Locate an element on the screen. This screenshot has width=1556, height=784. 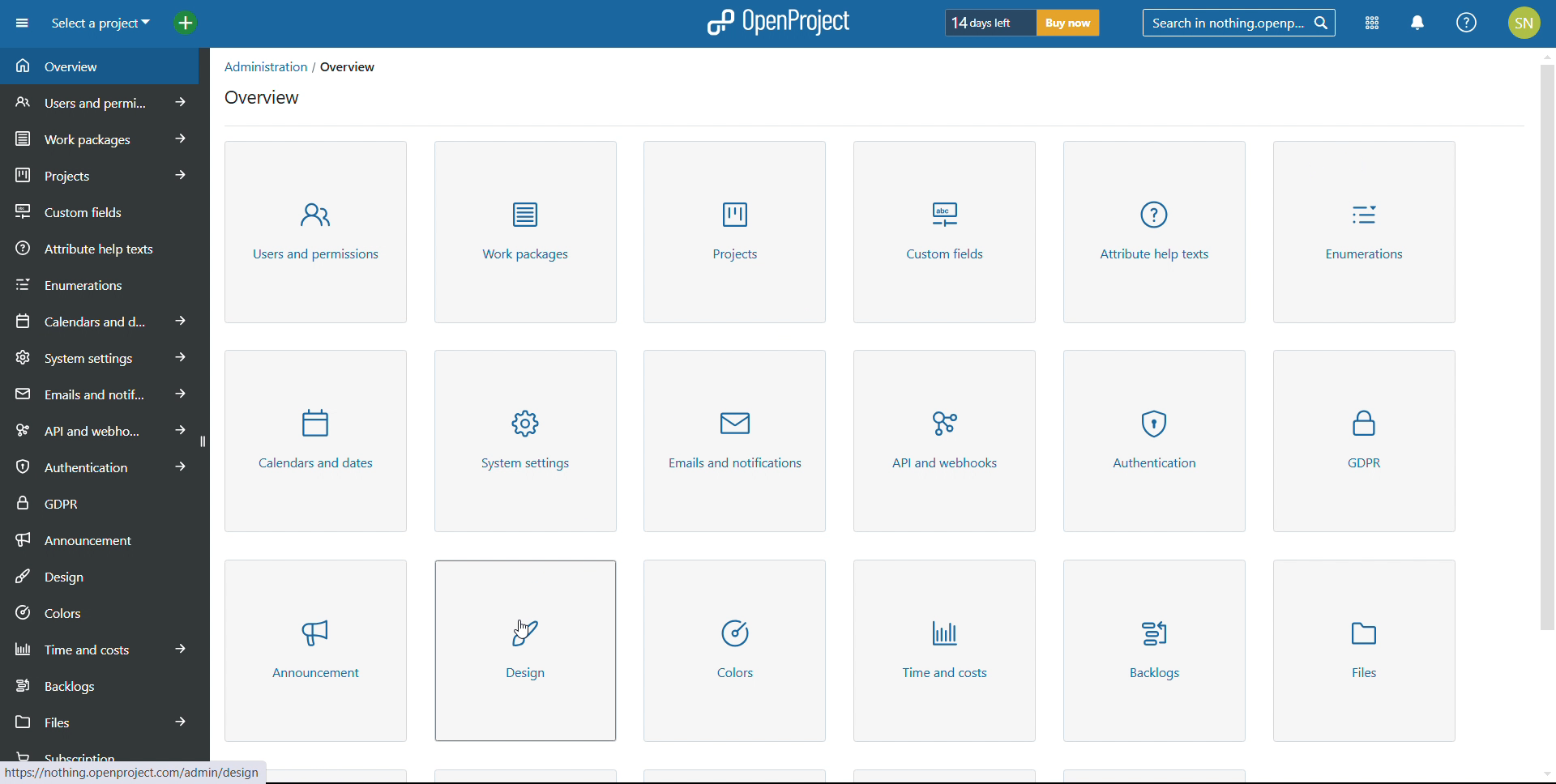
projects is located at coordinates (105, 173).